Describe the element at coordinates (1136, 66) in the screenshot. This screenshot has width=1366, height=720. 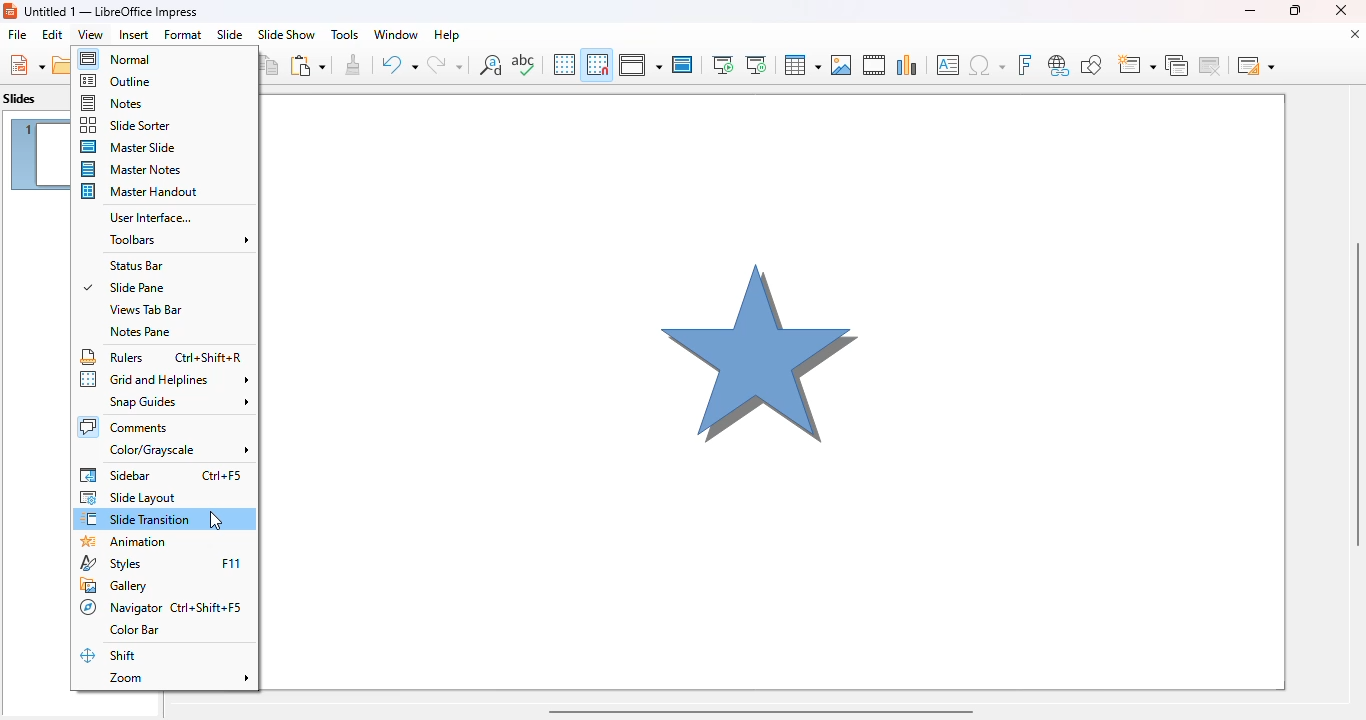
I see `new slide` at that location.